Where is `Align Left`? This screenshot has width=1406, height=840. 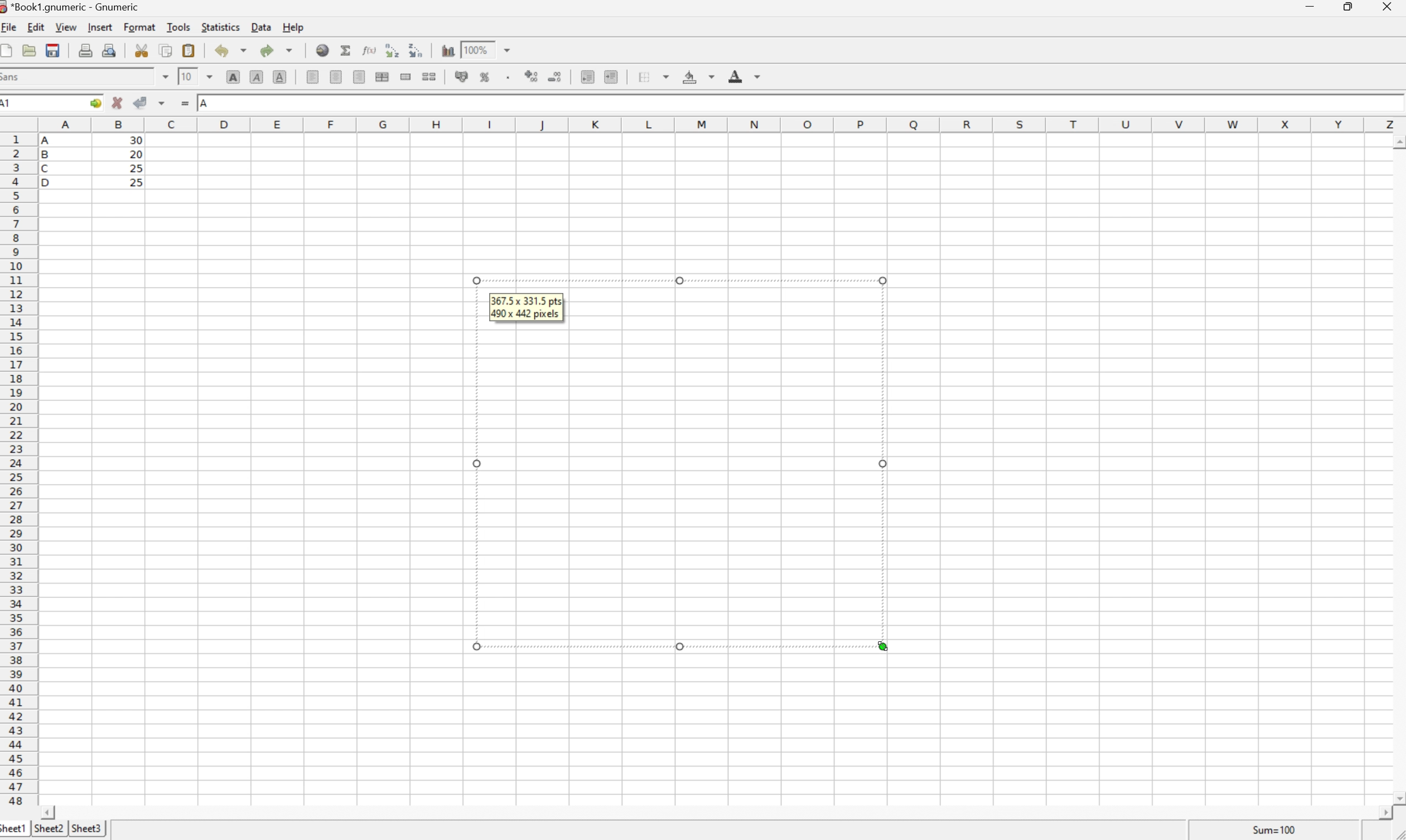 Align Left is located at coordinates (313, 78).